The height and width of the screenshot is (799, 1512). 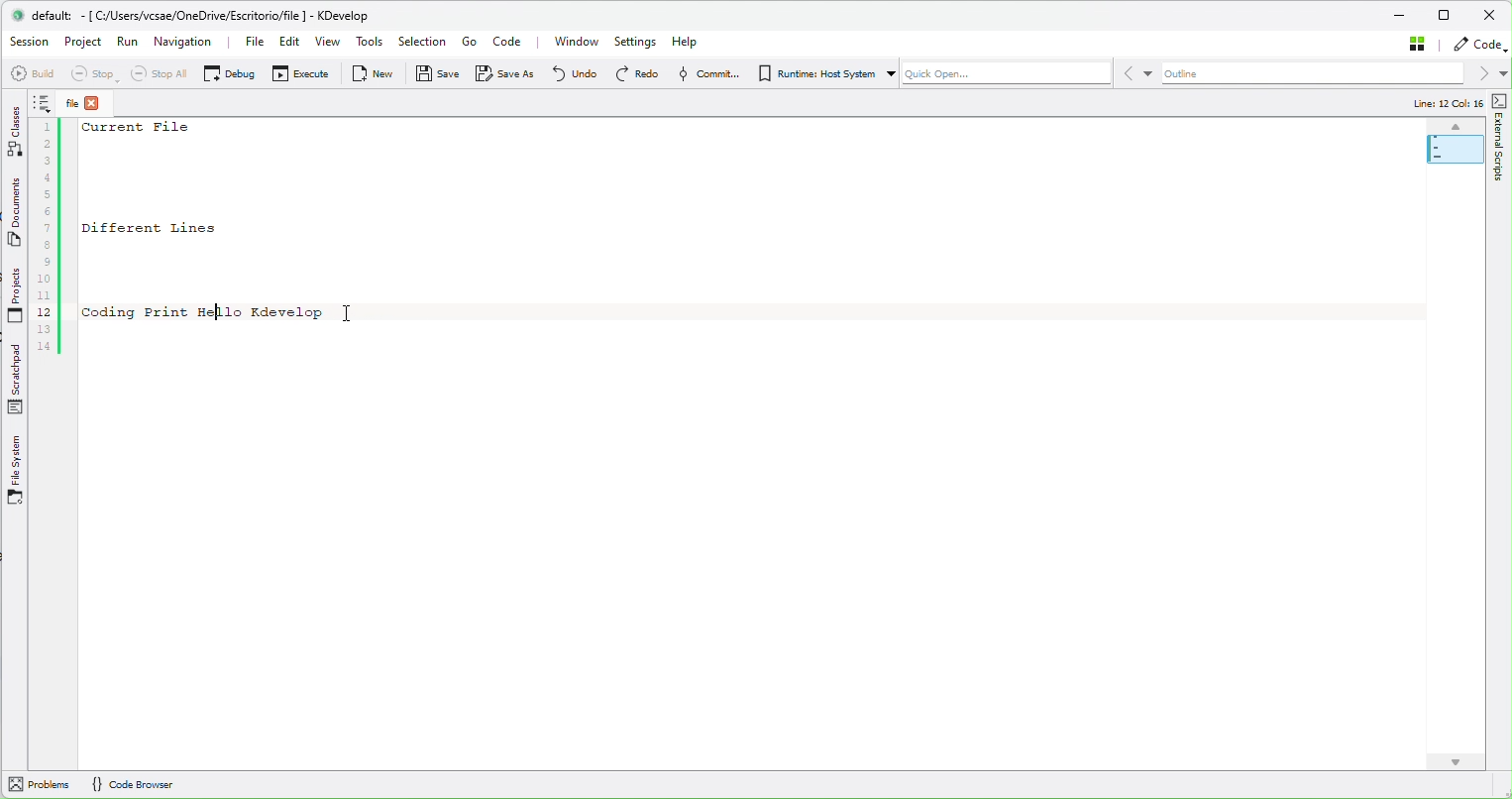 What do you see at coordinates (372, 41) in the screenshot?
I see `Tools` at bounding box center [372, 41].